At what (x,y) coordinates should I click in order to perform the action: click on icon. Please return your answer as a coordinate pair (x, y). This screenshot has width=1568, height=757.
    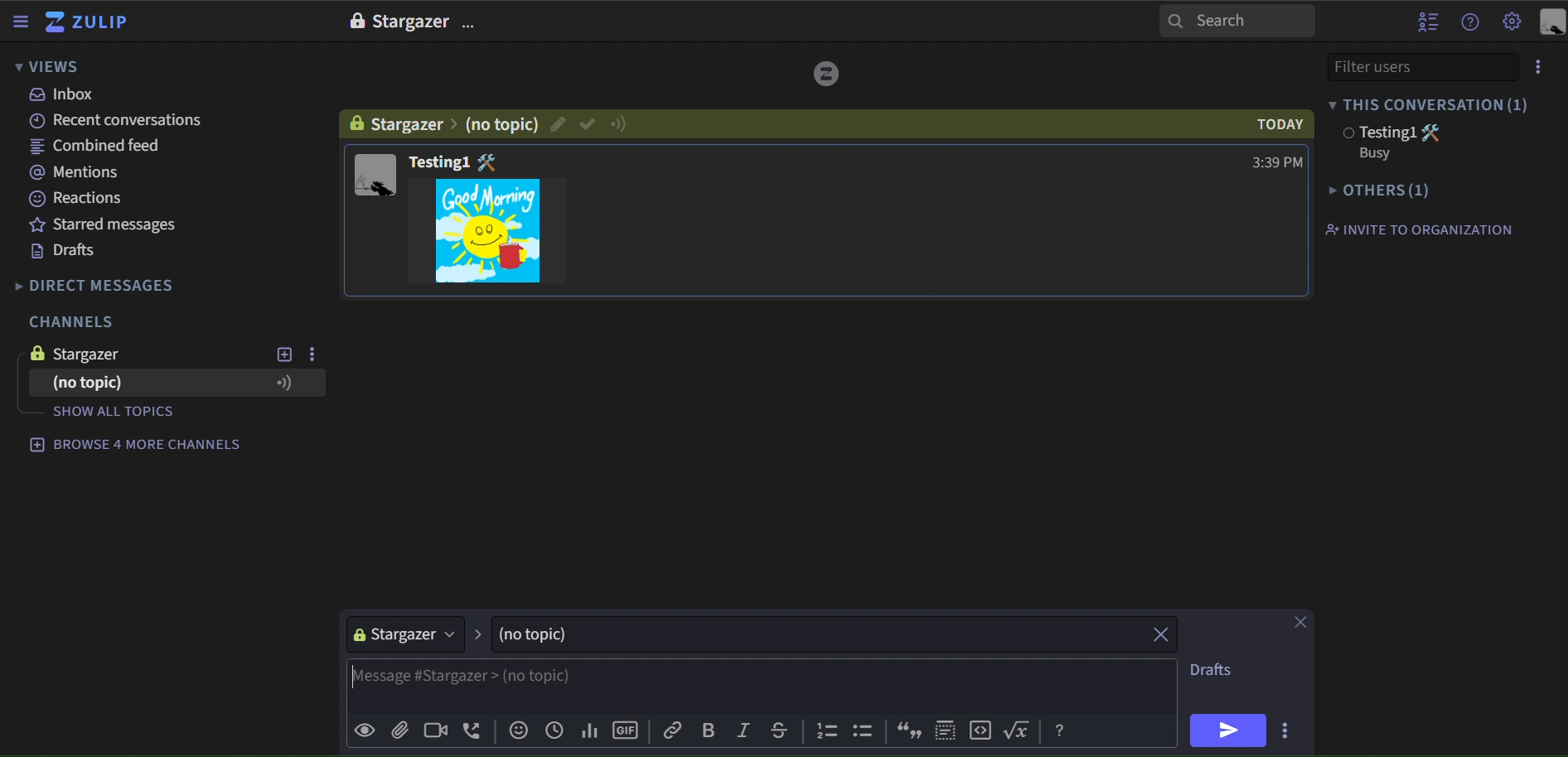
    Looking at the image, I should click on (866, 733).